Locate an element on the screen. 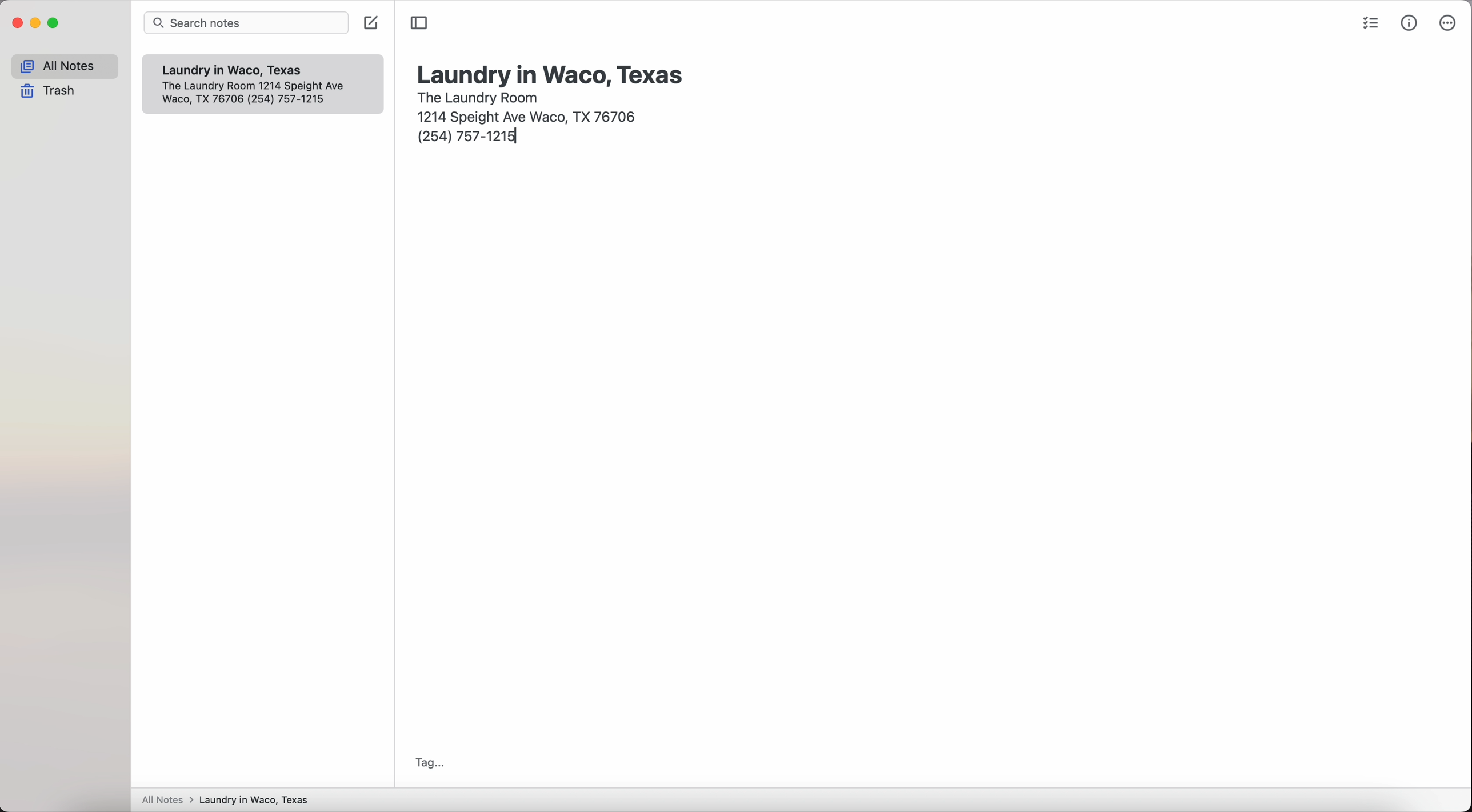  metrics is located at coordinates (1410, 22).